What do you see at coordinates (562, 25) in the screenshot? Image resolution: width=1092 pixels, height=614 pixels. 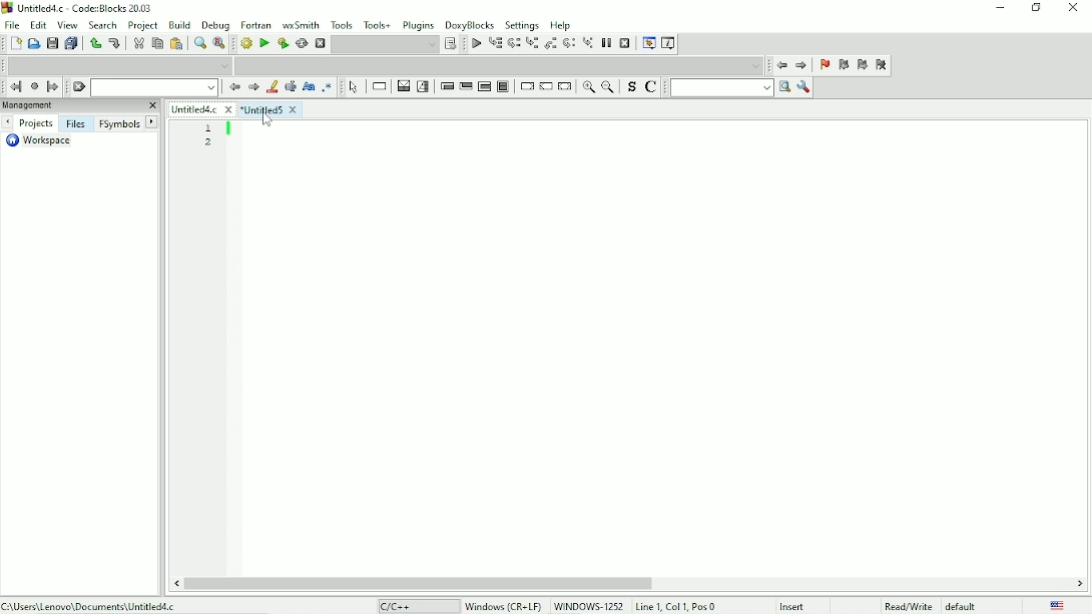 I see `Help` at bounding box center [562, 25].